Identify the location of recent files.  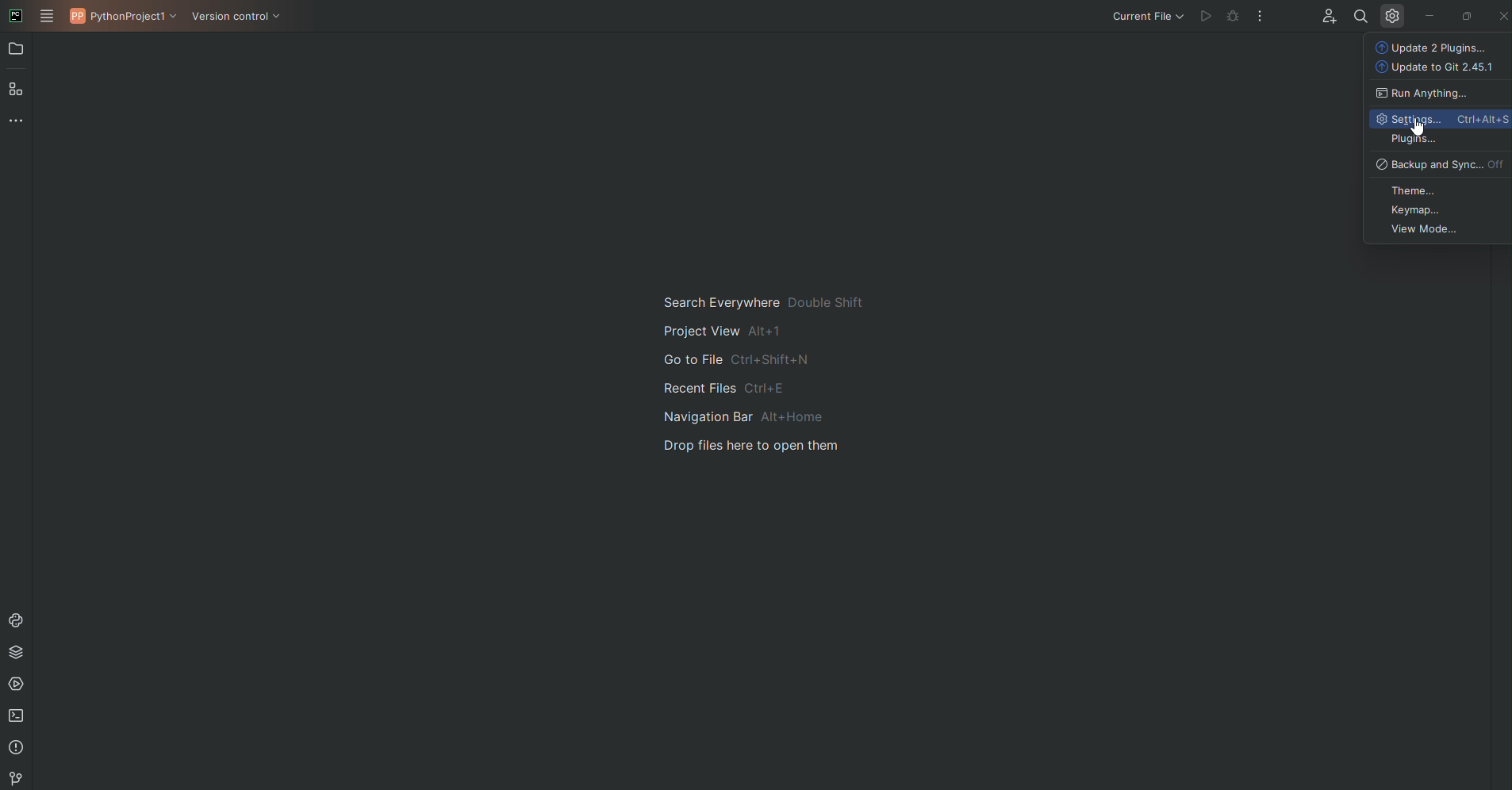
(724, 389).